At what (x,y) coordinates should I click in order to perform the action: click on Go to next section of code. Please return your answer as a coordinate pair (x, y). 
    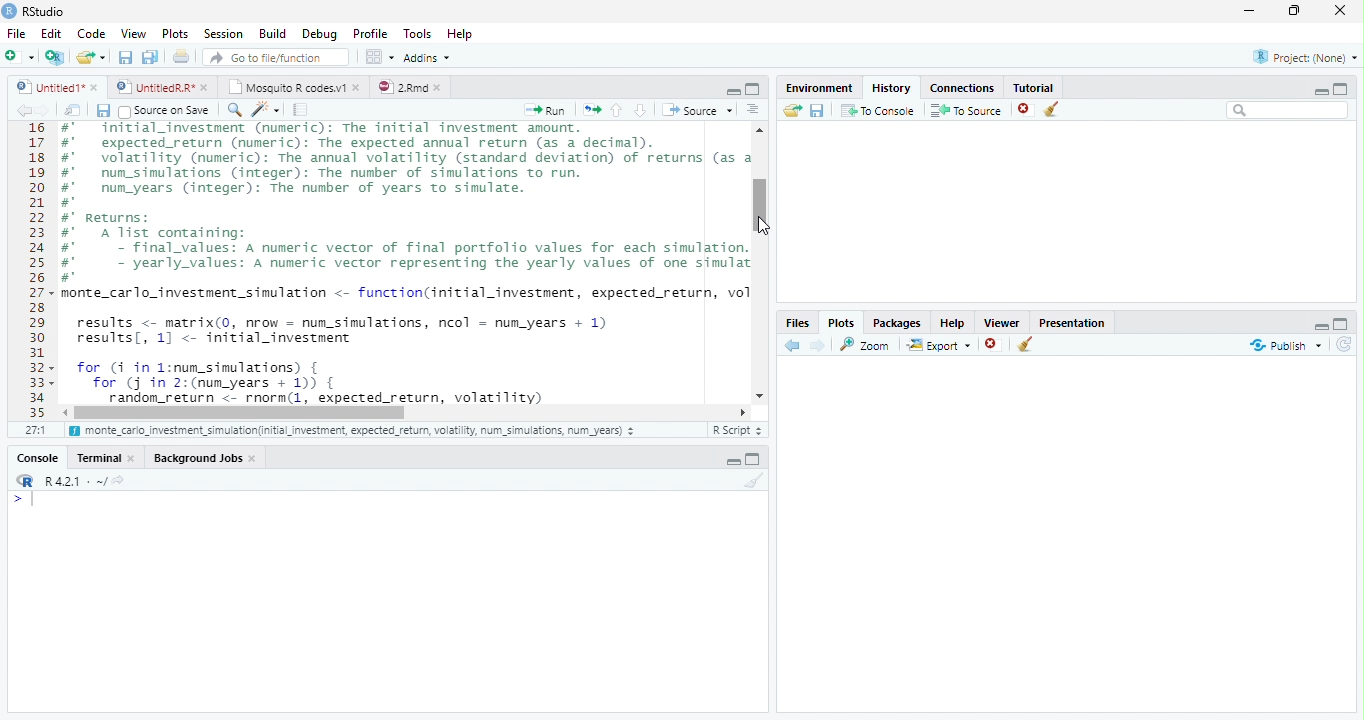
    Looking at the image, I should click on (642, 111).